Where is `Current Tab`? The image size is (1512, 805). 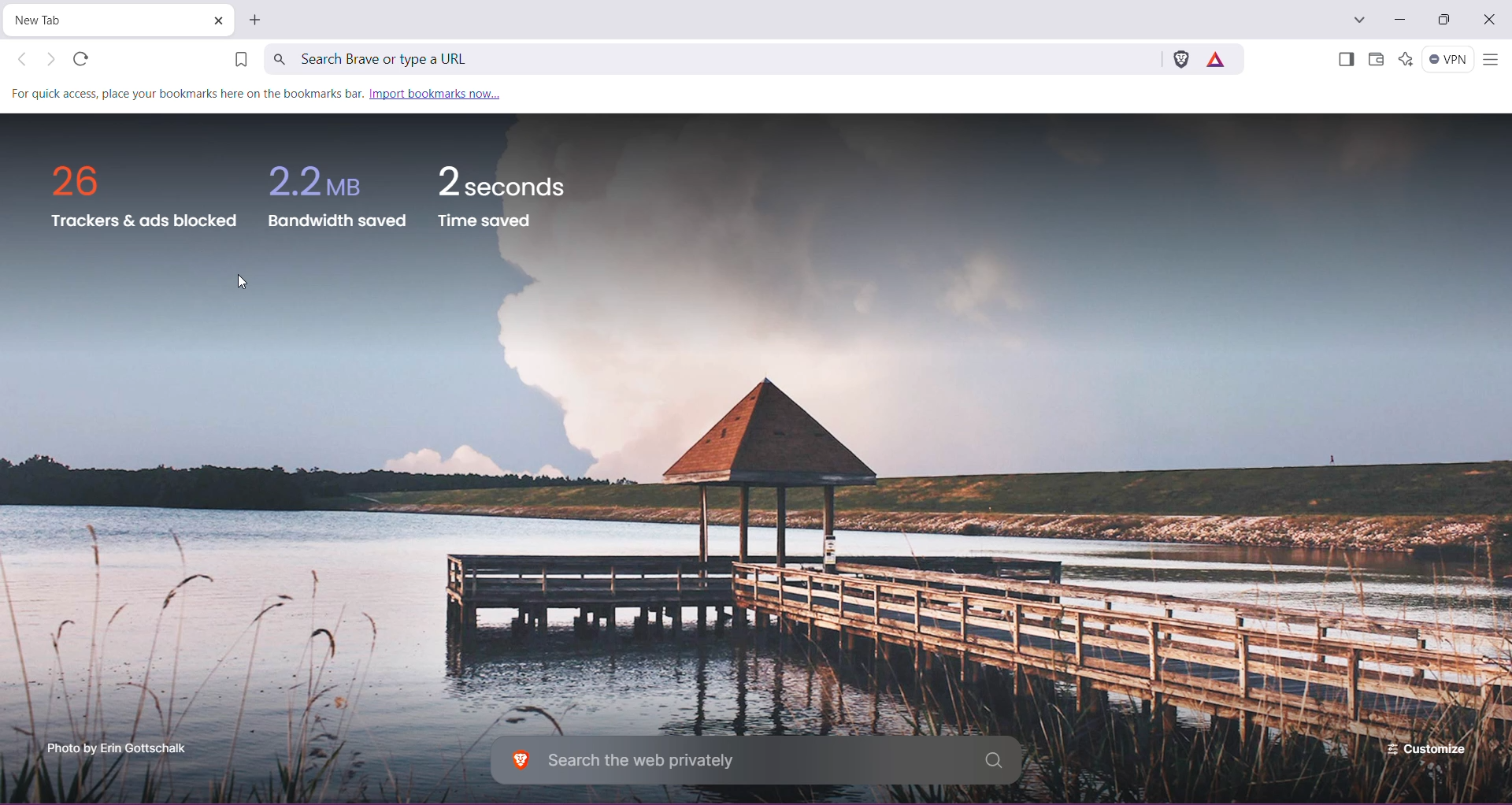
Current Tab is located at coordinates (63, 20).